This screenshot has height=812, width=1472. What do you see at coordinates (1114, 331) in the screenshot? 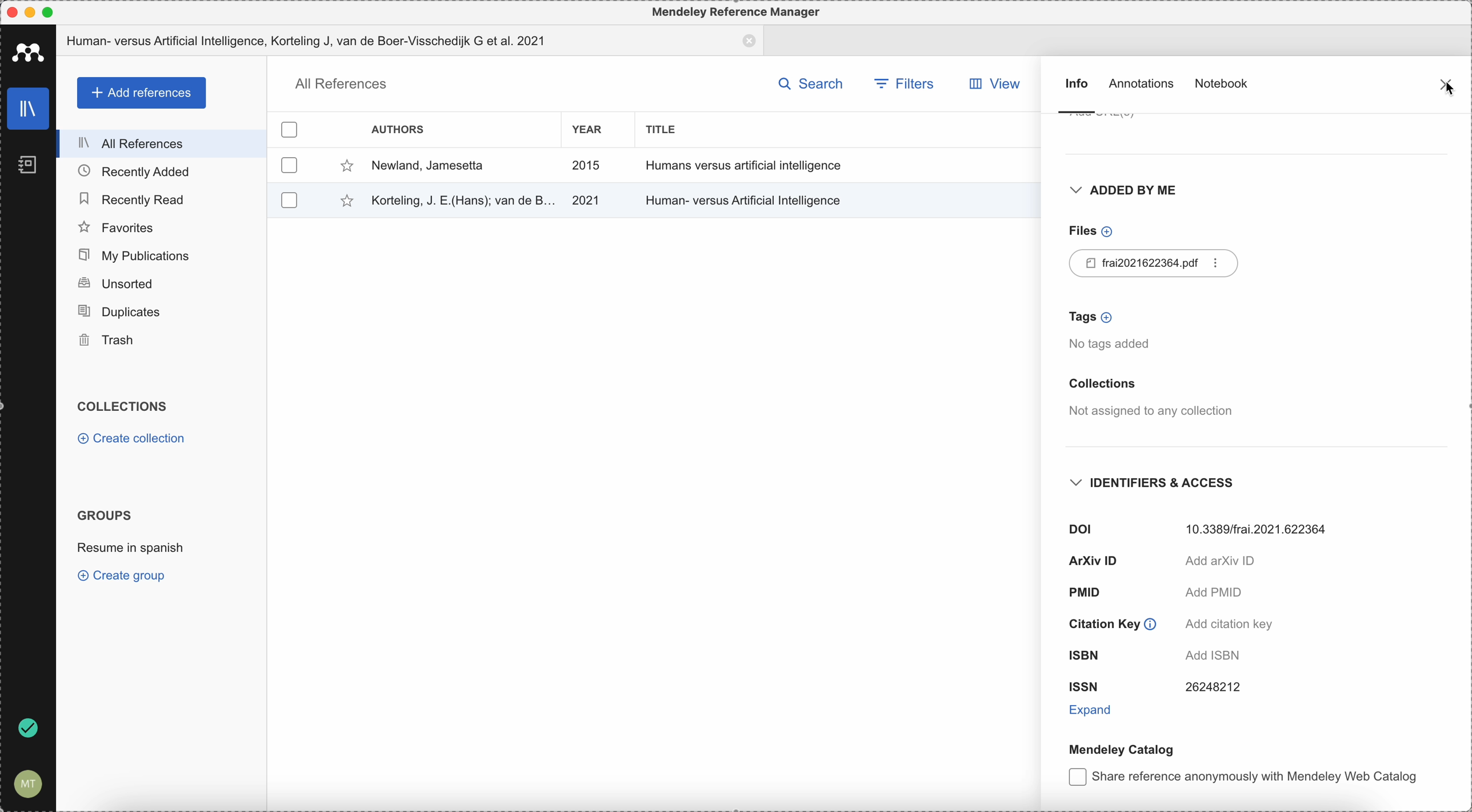
I see `tags no tags added` at bounding box center [1114, 331].